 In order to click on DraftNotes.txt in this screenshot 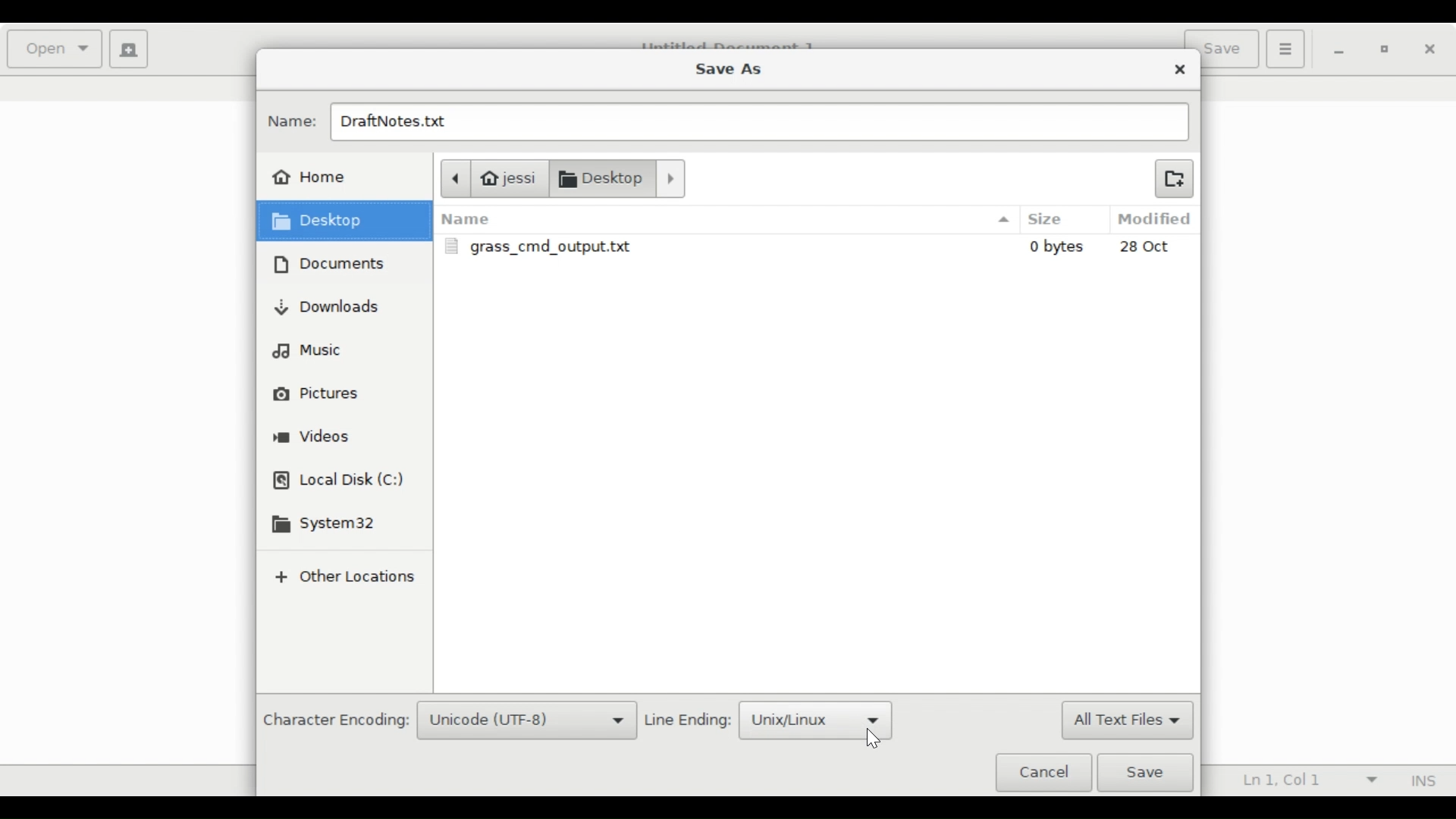, I will do `click(757, 124)`.